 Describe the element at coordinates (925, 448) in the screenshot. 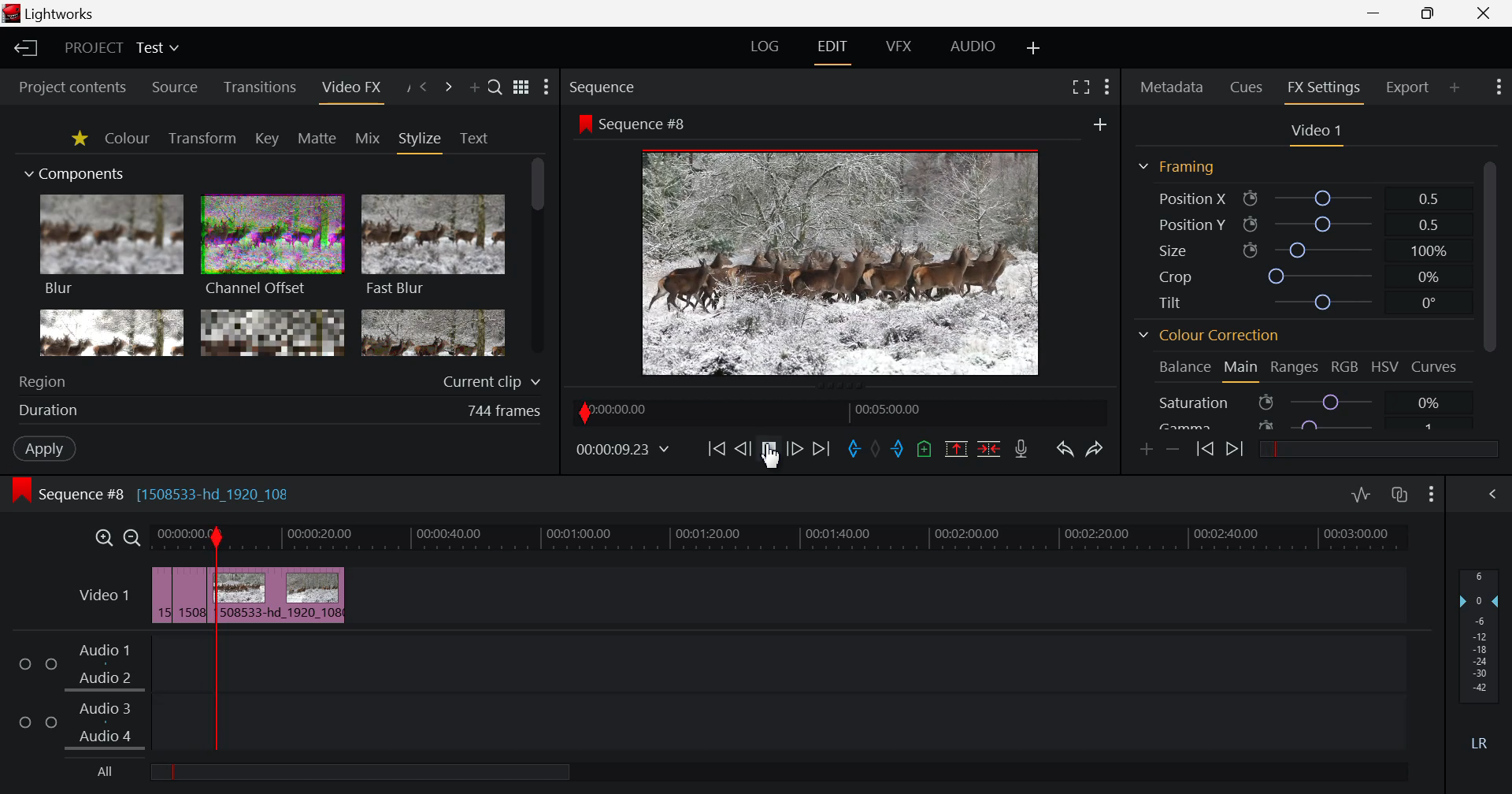

I see `Mark Cue` at that location.